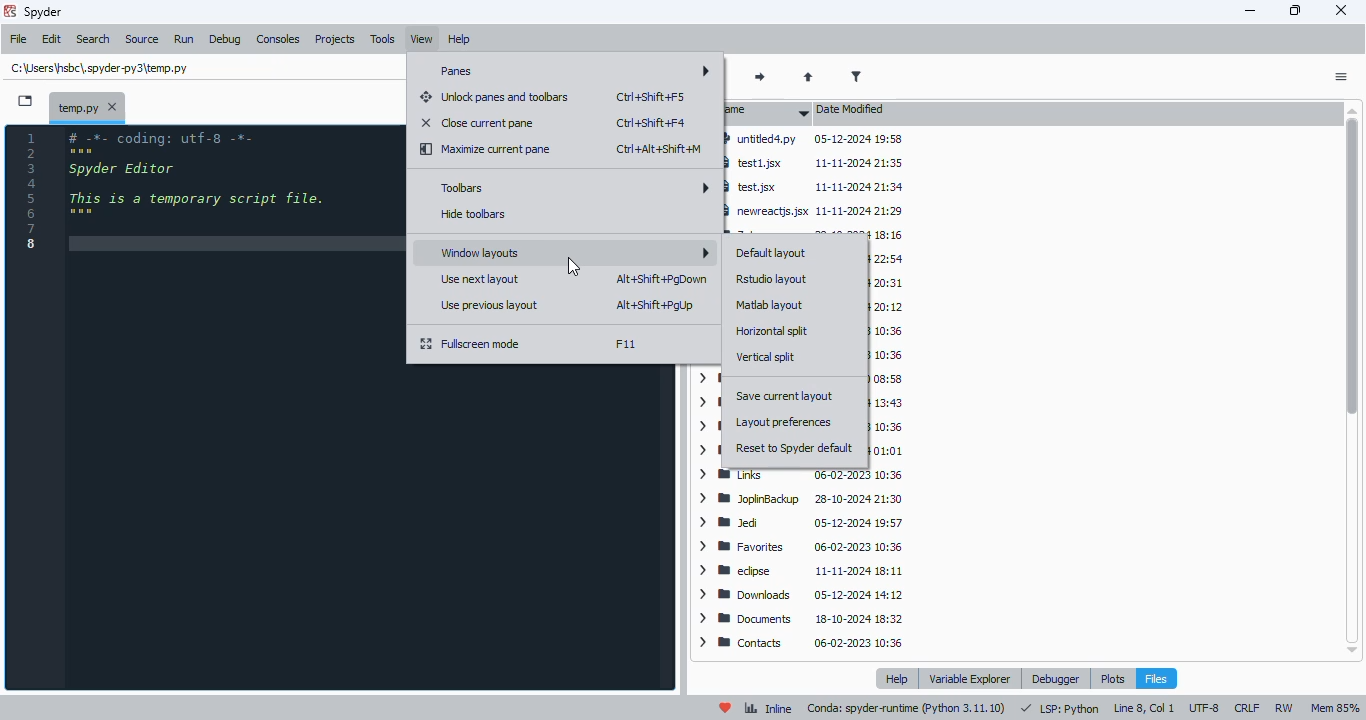  What do you see at coordinates (20, 40) in the screenshot?
I see `file` at bounding box center [20, 40].